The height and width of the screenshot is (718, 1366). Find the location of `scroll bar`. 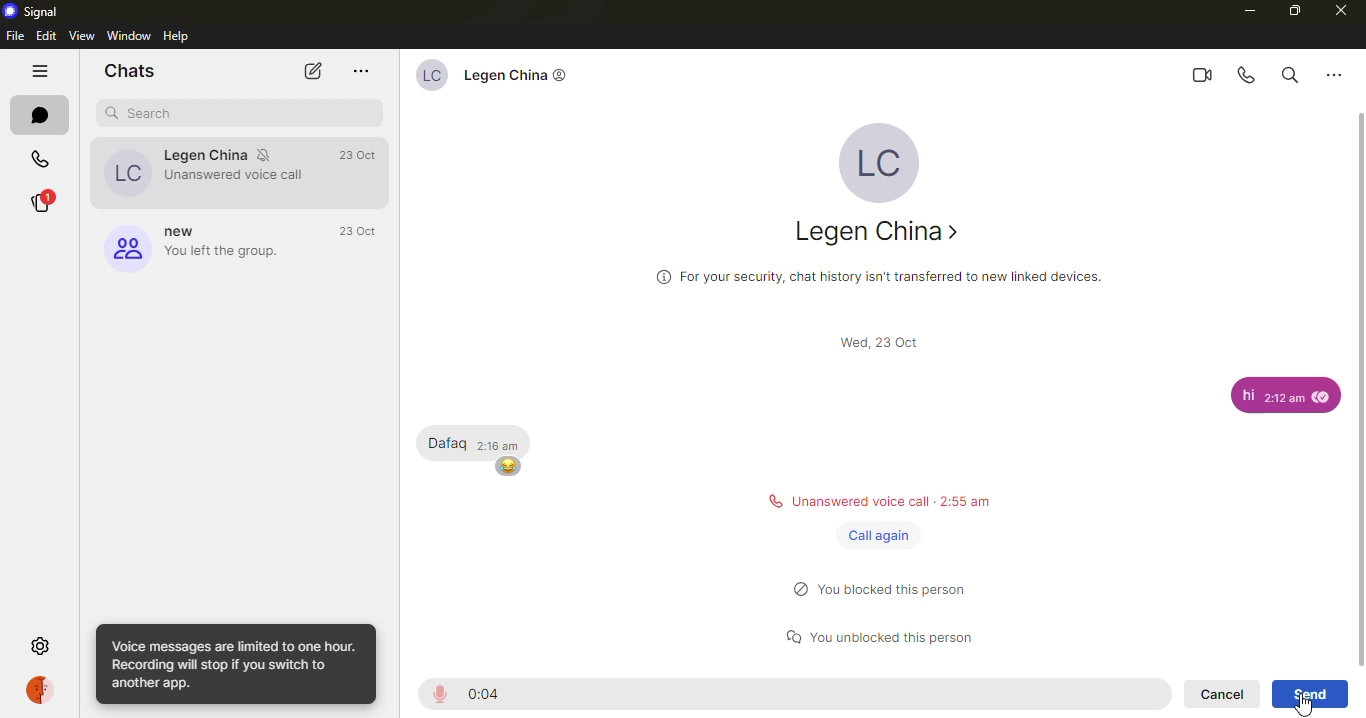

scroll bar is located at coordinates (872, 339).